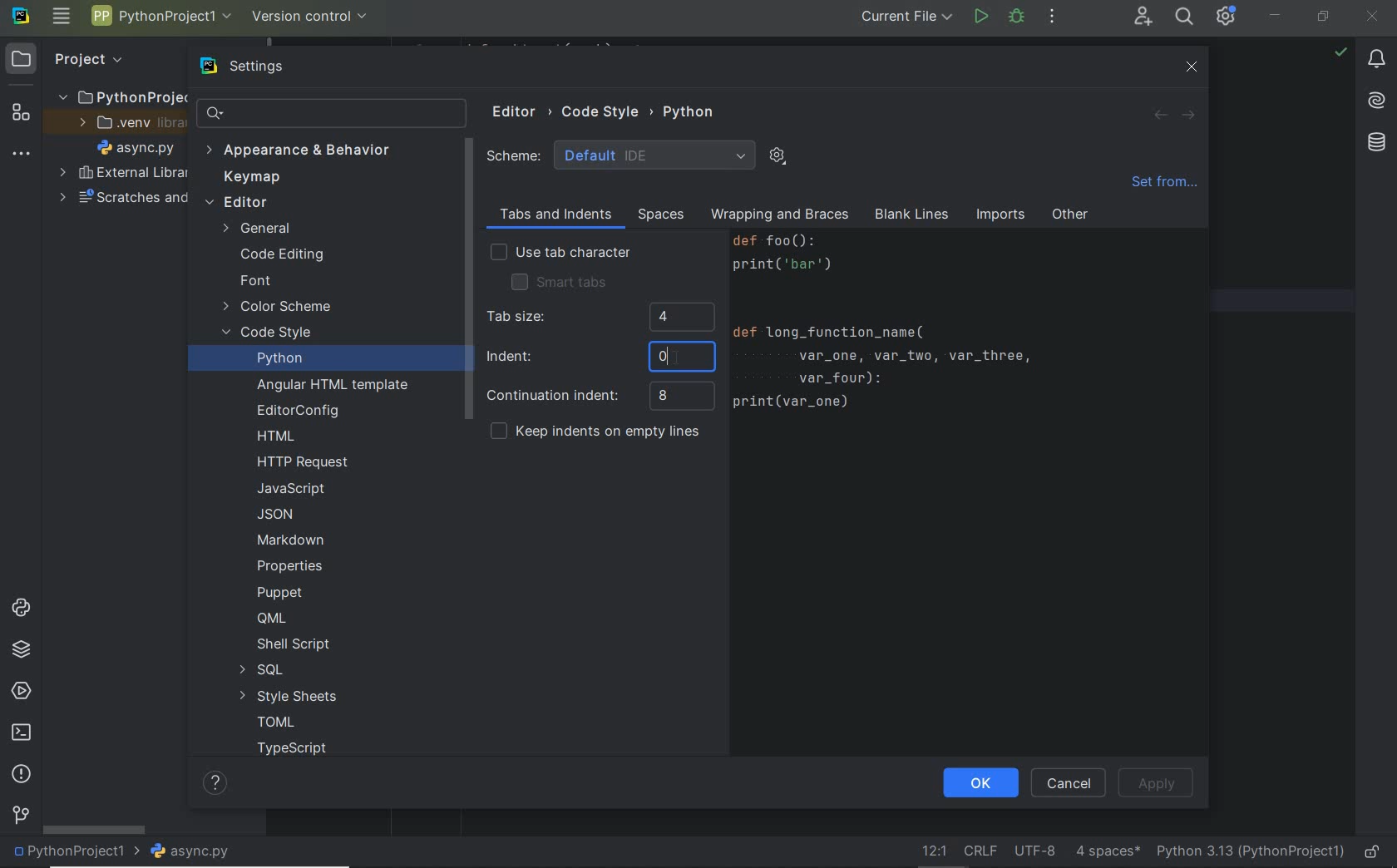 The height and width of the screenshot is (868, 1397). What do you see at coordinates (217, 782) in the screenshot?
I see `HELP` at bounding box center [217, 782].